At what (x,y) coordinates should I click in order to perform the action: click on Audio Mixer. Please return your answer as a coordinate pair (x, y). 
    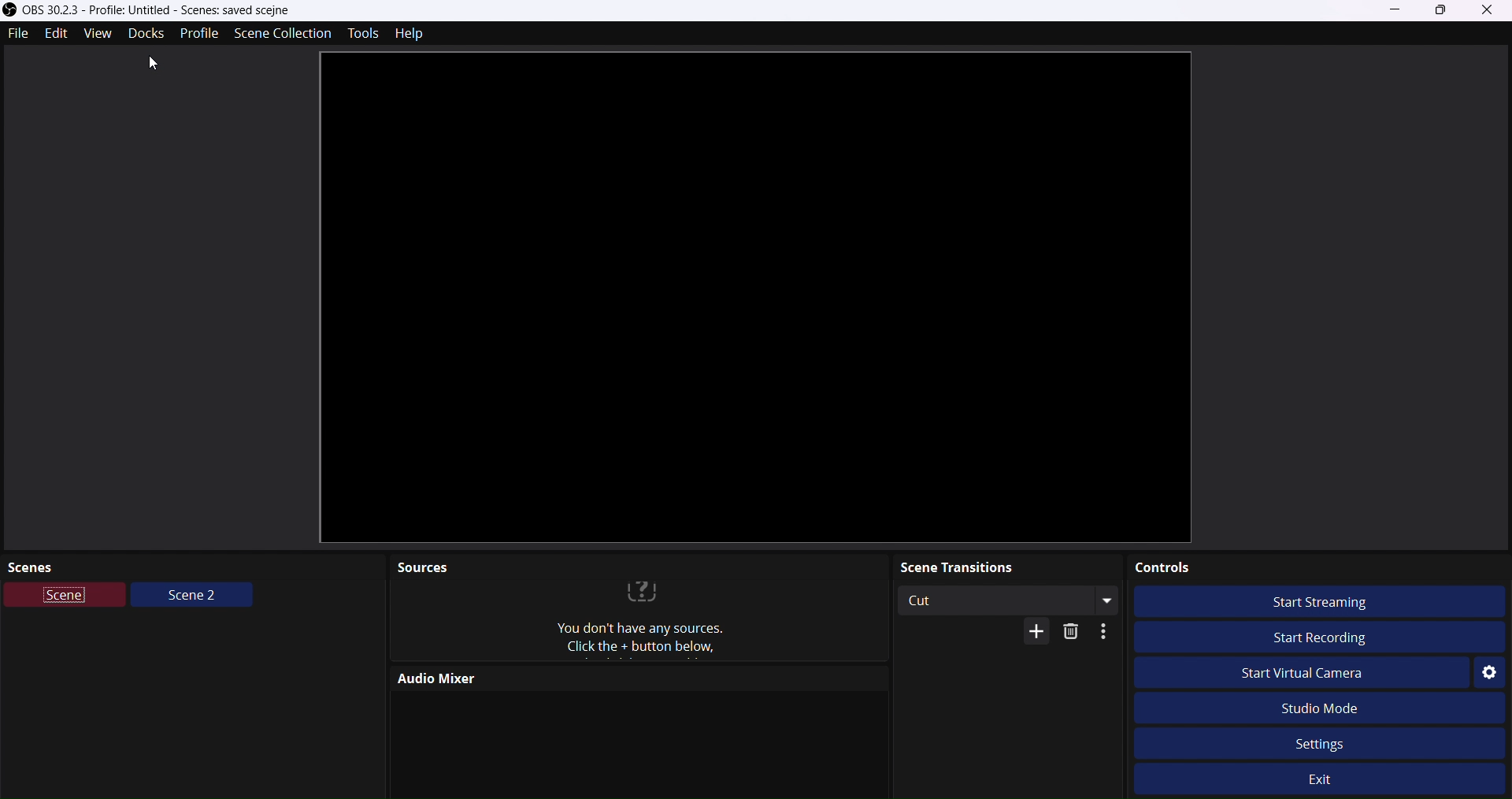
    Looking at the image, I should click on (634, 679).